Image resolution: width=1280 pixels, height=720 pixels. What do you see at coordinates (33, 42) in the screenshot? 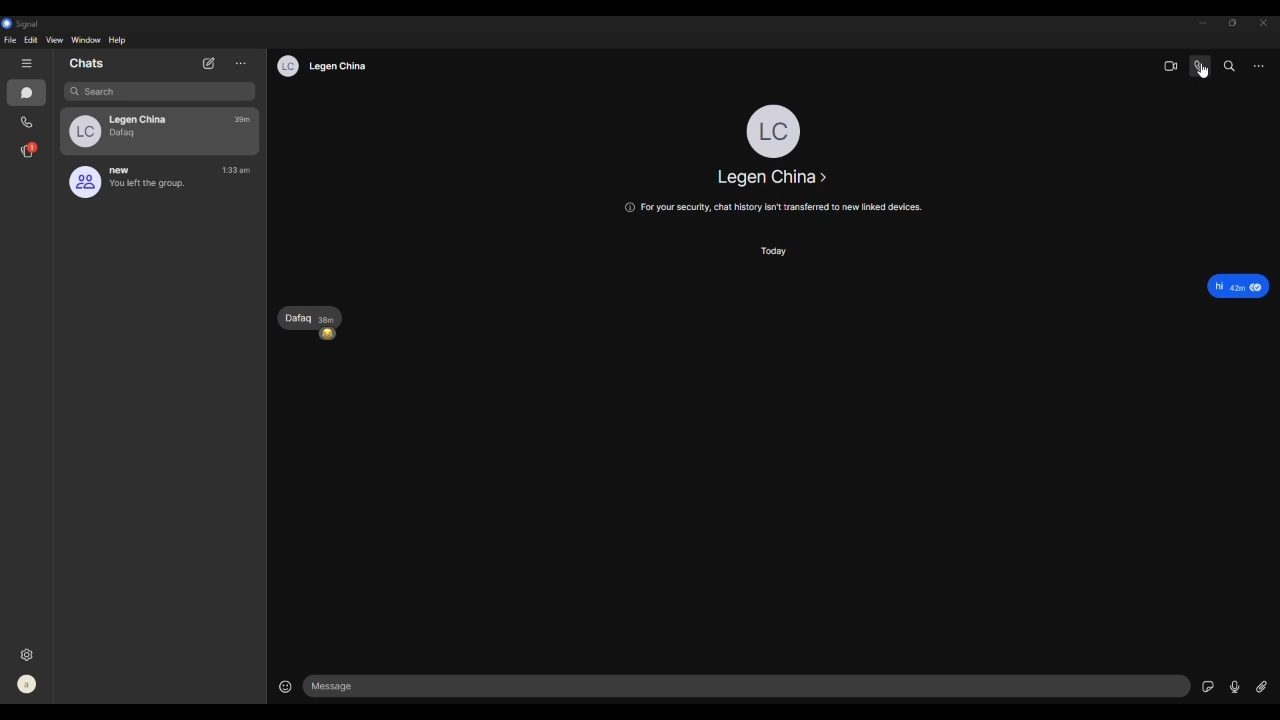
I see `edit` at bounding box center [33, 42].